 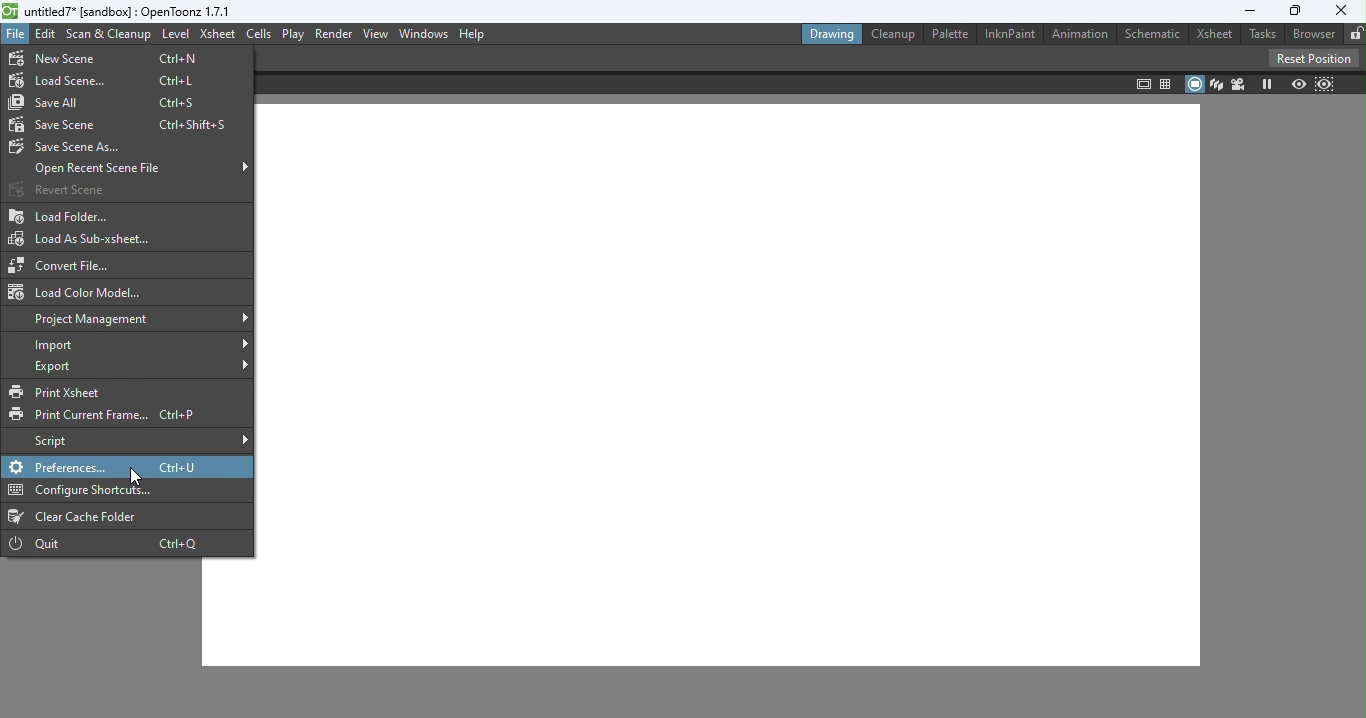 What do you see at coordinates (1324, 85) in the screenshot?
I see `Sub-camera preview` at bounding box center [1324, 85].